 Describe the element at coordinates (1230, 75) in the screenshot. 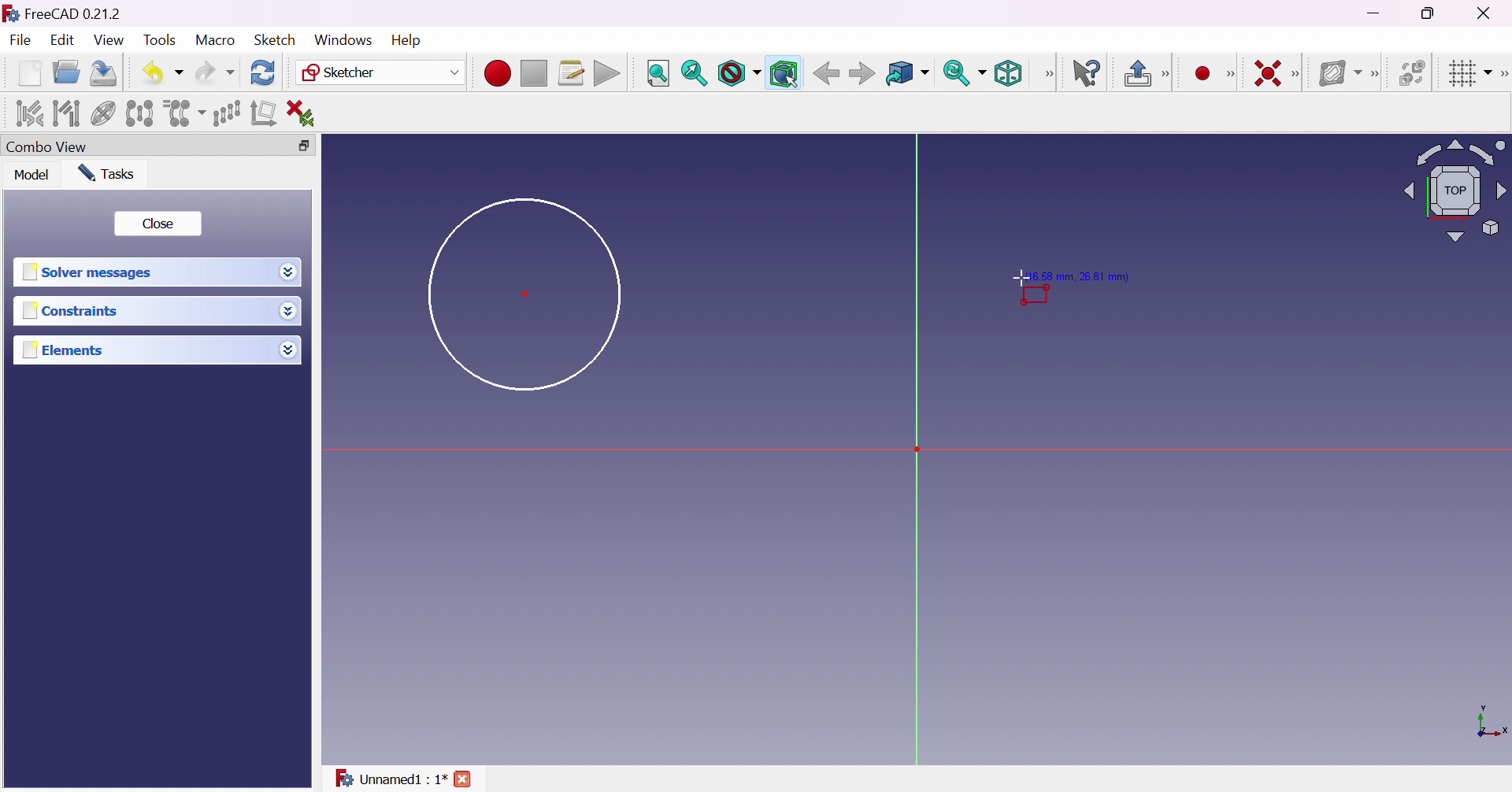

I see `Sketcher geometries` at that location.